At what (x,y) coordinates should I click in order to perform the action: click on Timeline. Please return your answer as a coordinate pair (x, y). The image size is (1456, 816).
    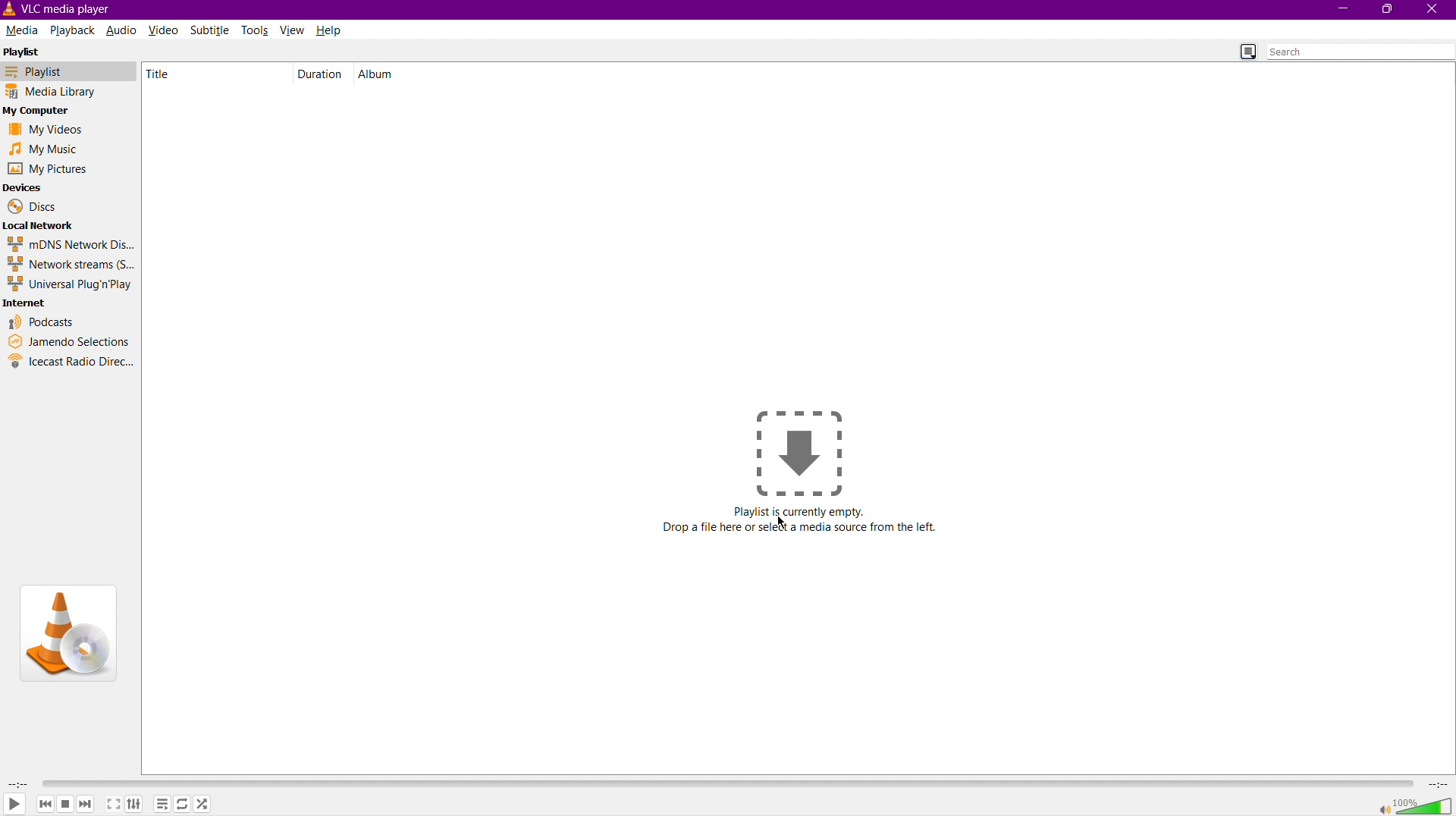
    Looking at the image, I should click on (743, 780).